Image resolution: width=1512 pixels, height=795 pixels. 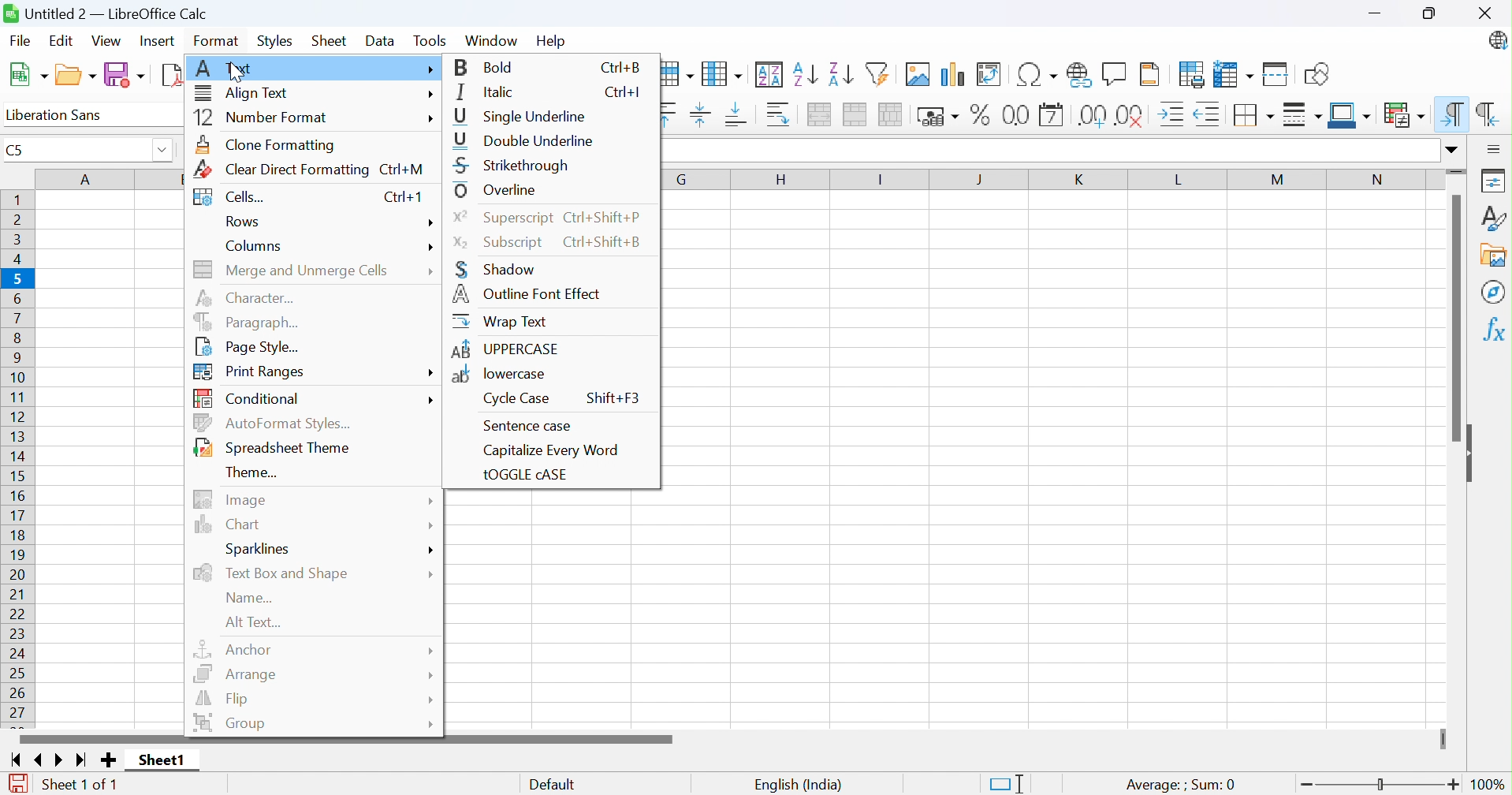 I want to click on Clone formatting, so click(x=269, y=144).